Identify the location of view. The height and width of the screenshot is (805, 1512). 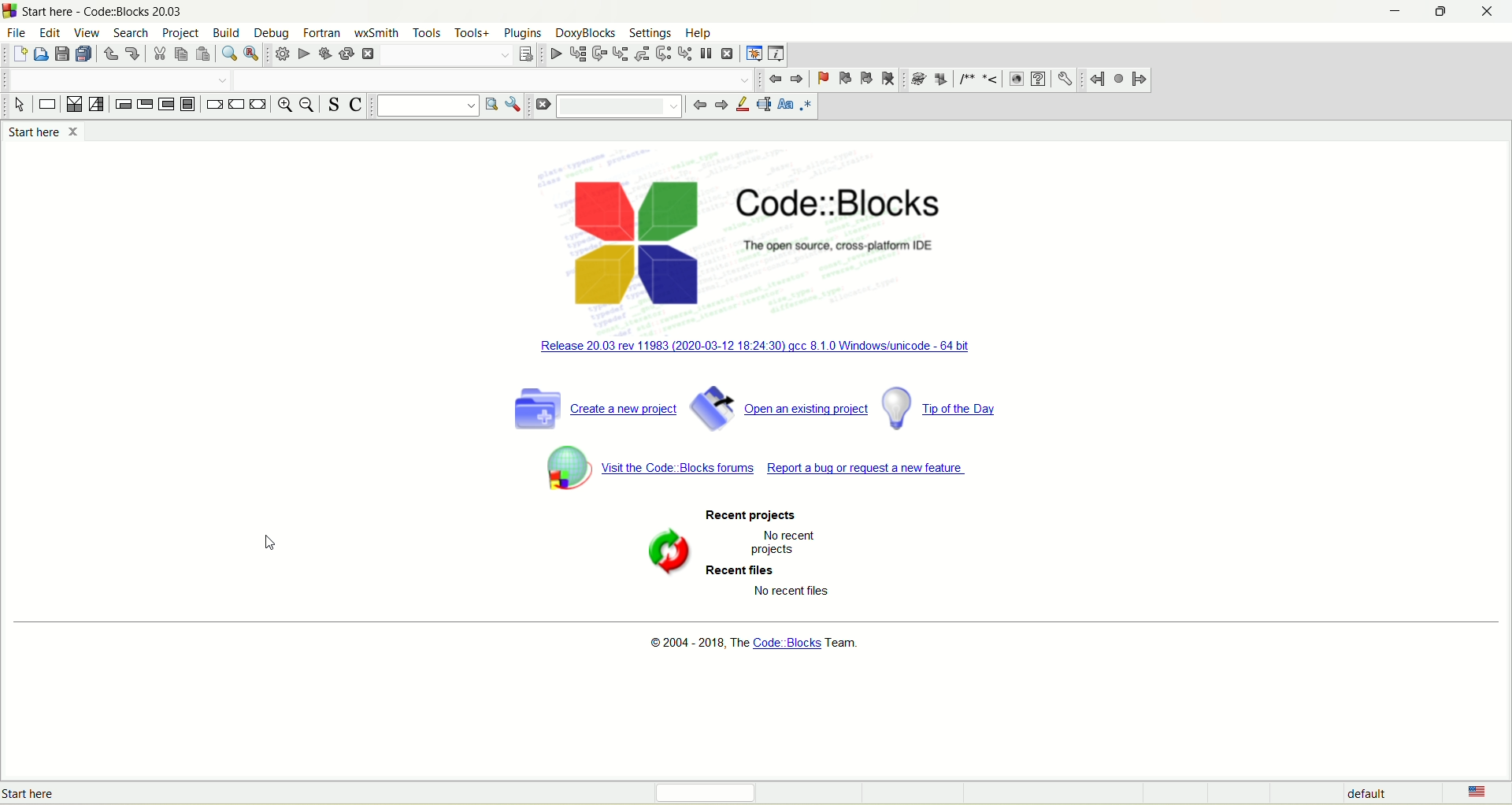
(87, 32).